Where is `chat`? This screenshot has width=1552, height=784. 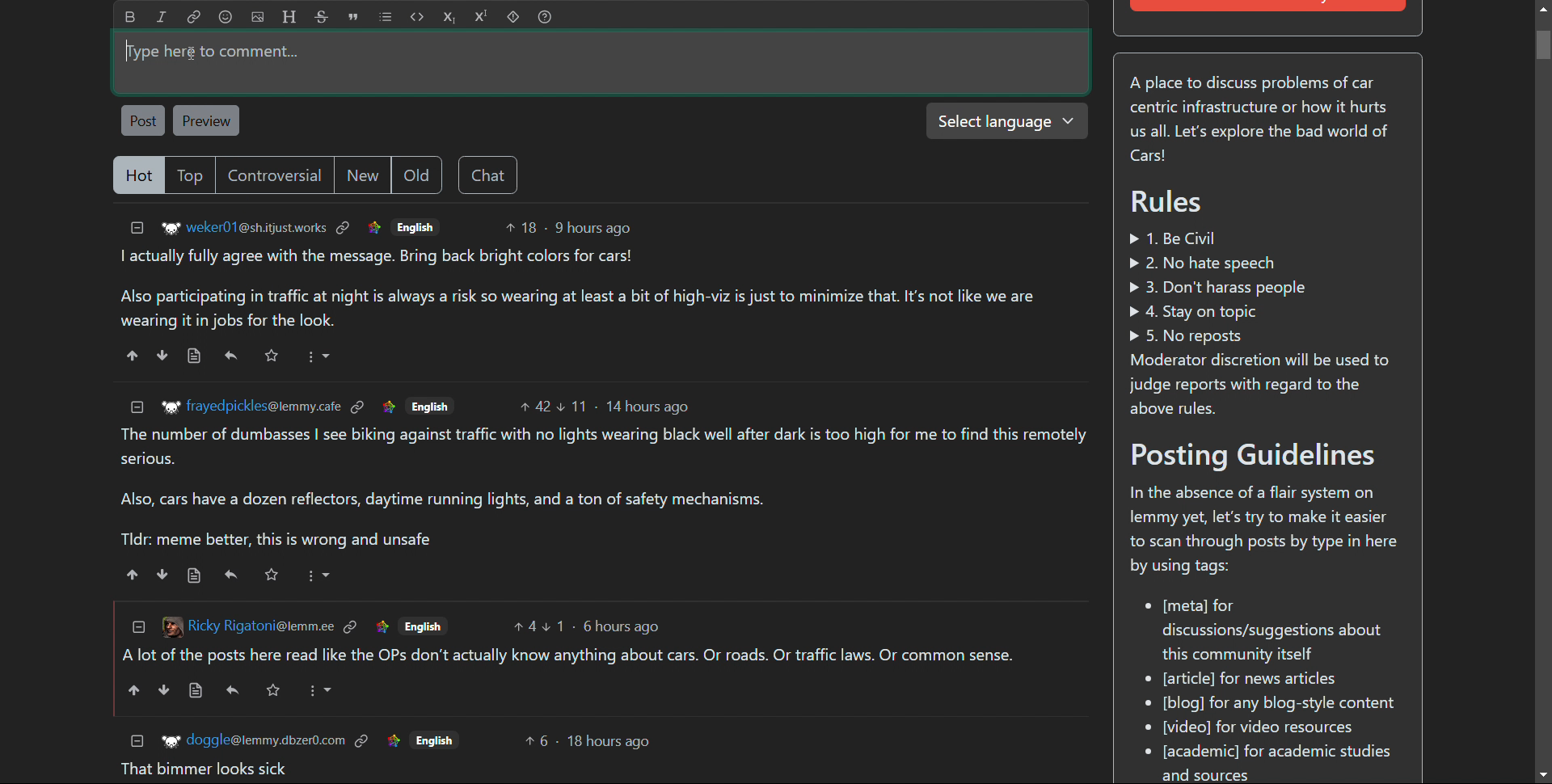 chat is located at coordinates (487, 175).